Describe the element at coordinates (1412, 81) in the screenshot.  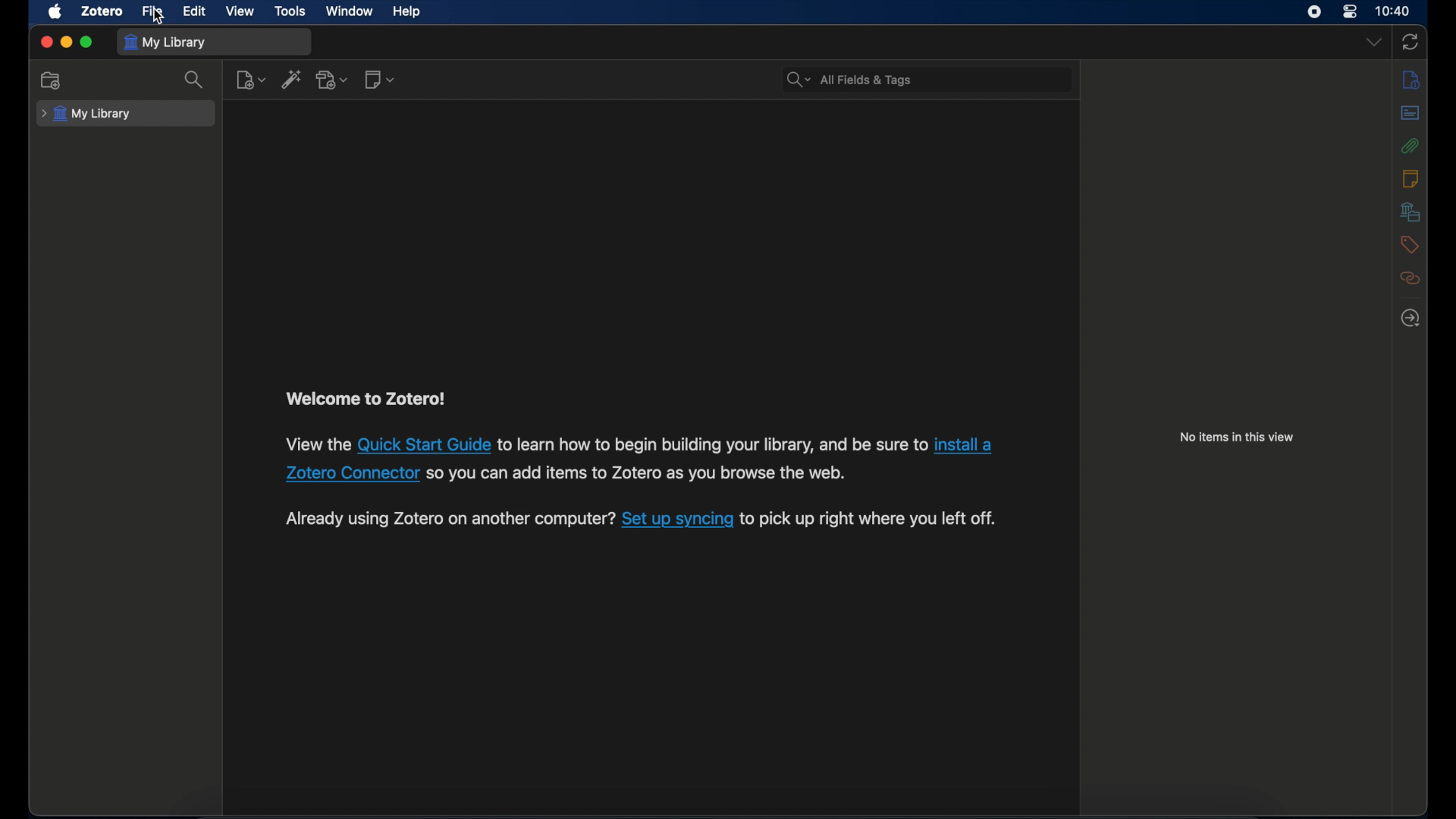
I see `info` at that location.